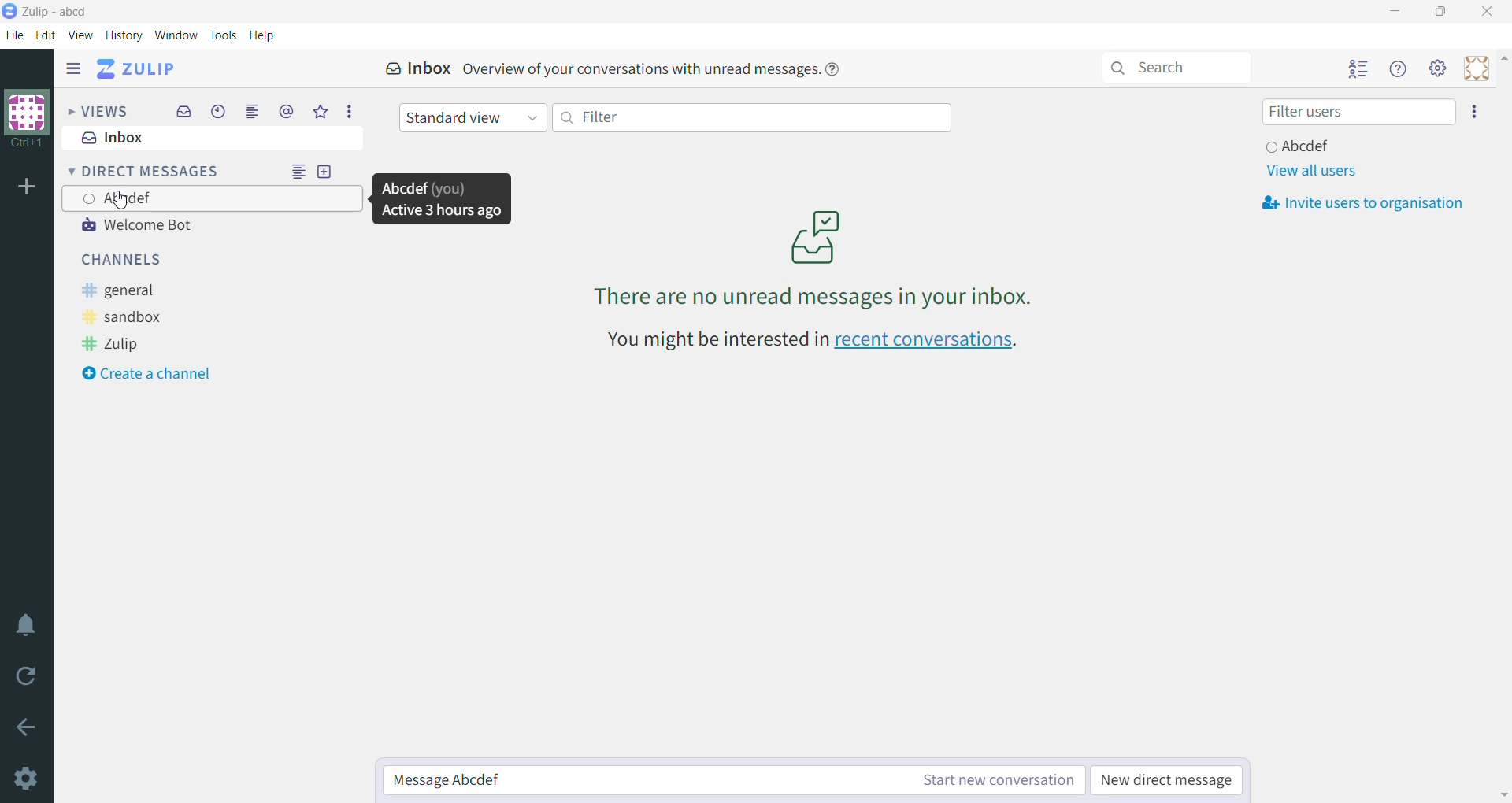  What do you see at coordinates (1311, 169) in the screenshot?
I see `View all users` at bounding box center [1311, 169].